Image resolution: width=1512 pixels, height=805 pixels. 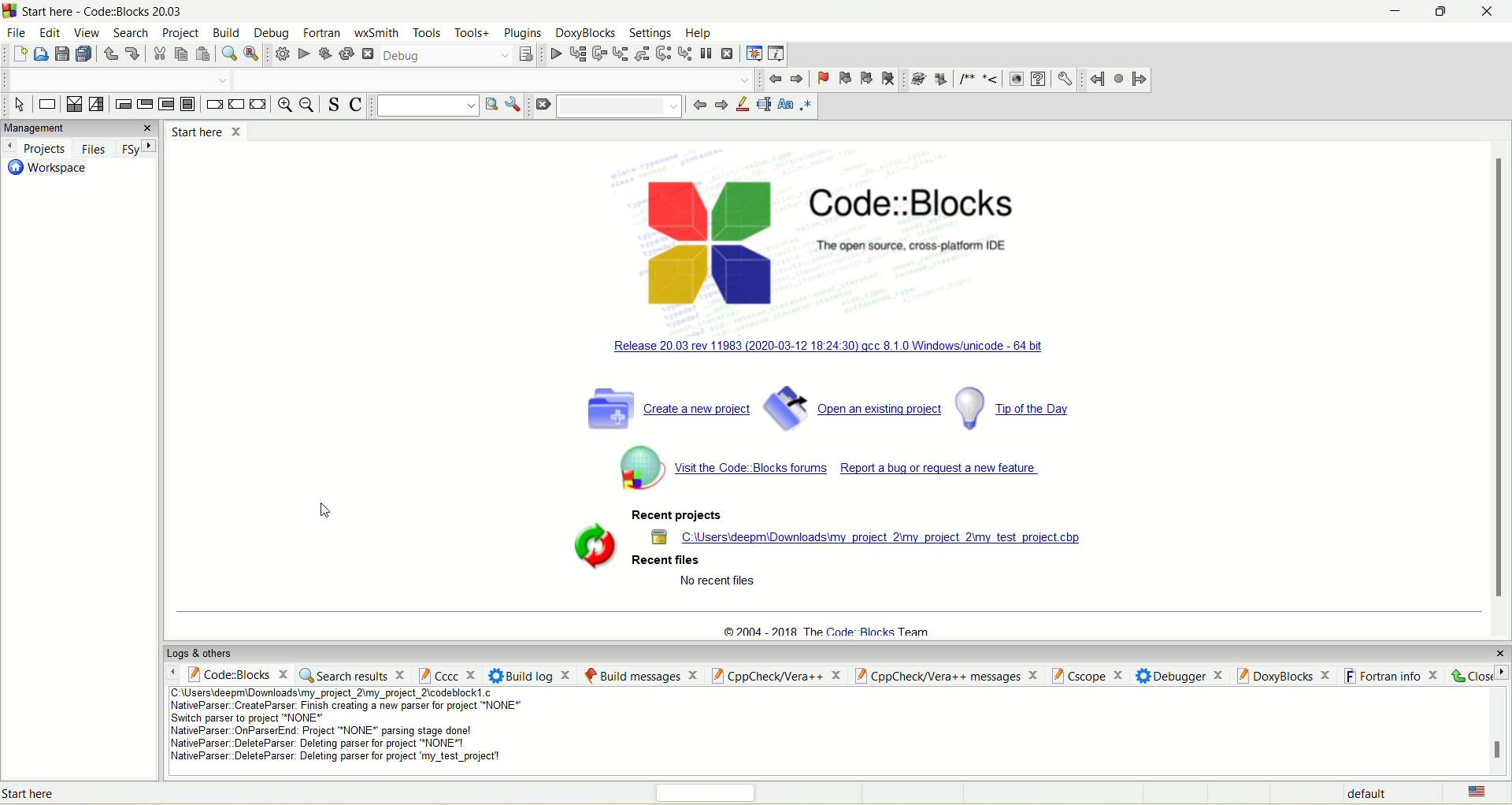 I want to click on fortran info, so click(x=1398, y=677).